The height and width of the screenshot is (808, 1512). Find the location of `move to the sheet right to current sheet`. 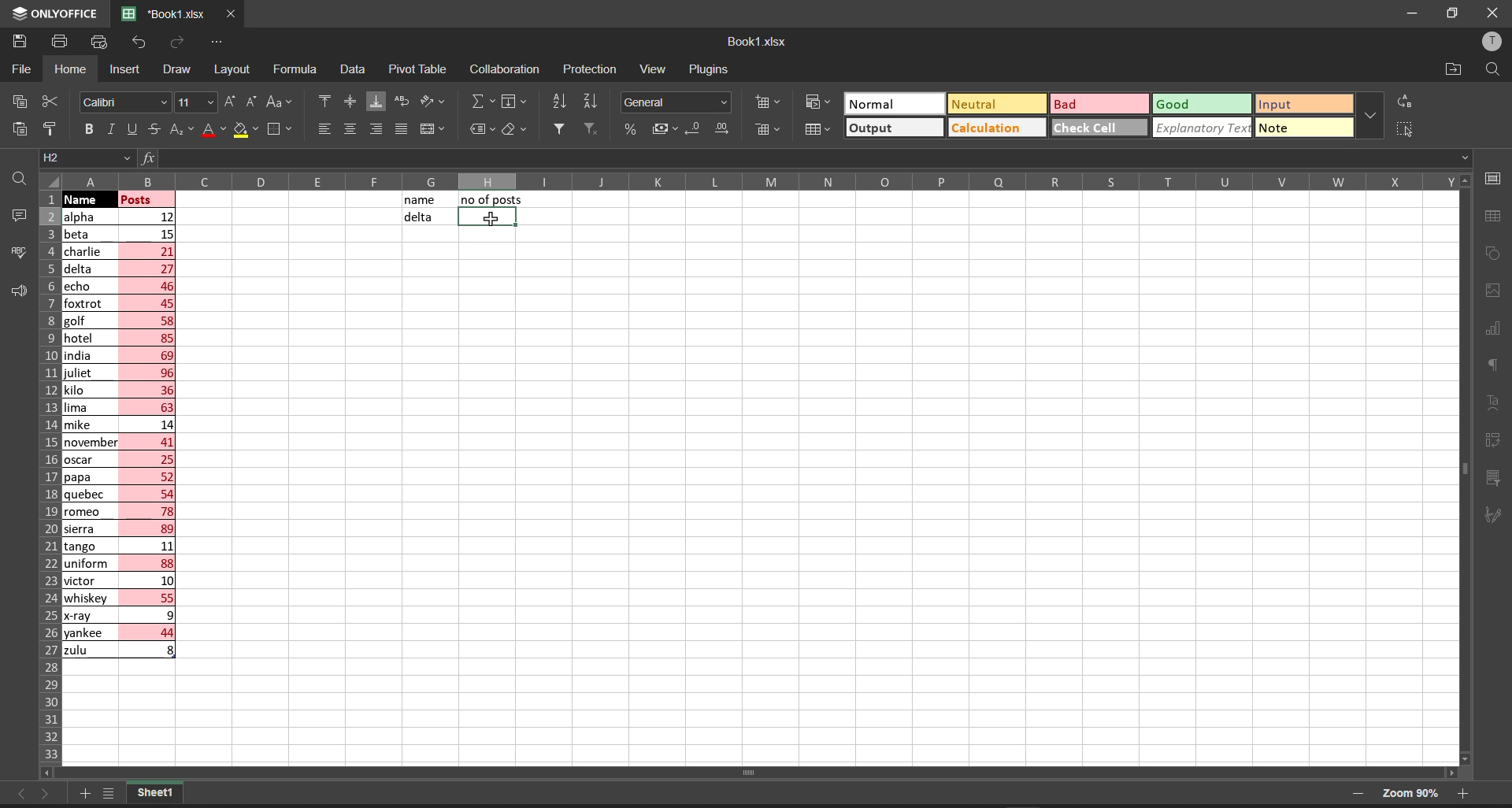

move to the sheet right to current sheet is located at coordinates (48, 797).